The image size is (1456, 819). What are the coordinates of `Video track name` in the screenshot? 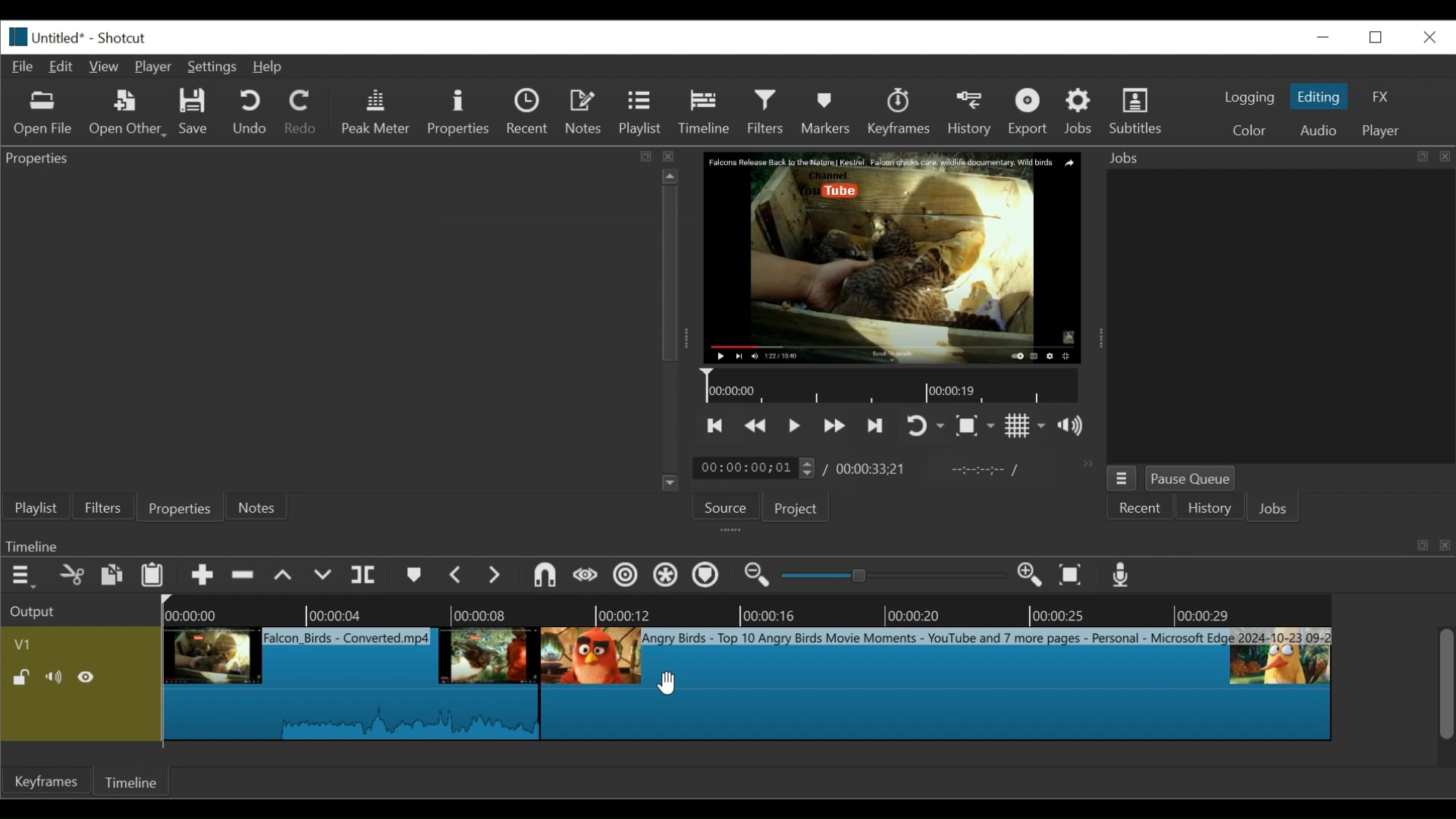 It's located at (79, 642).